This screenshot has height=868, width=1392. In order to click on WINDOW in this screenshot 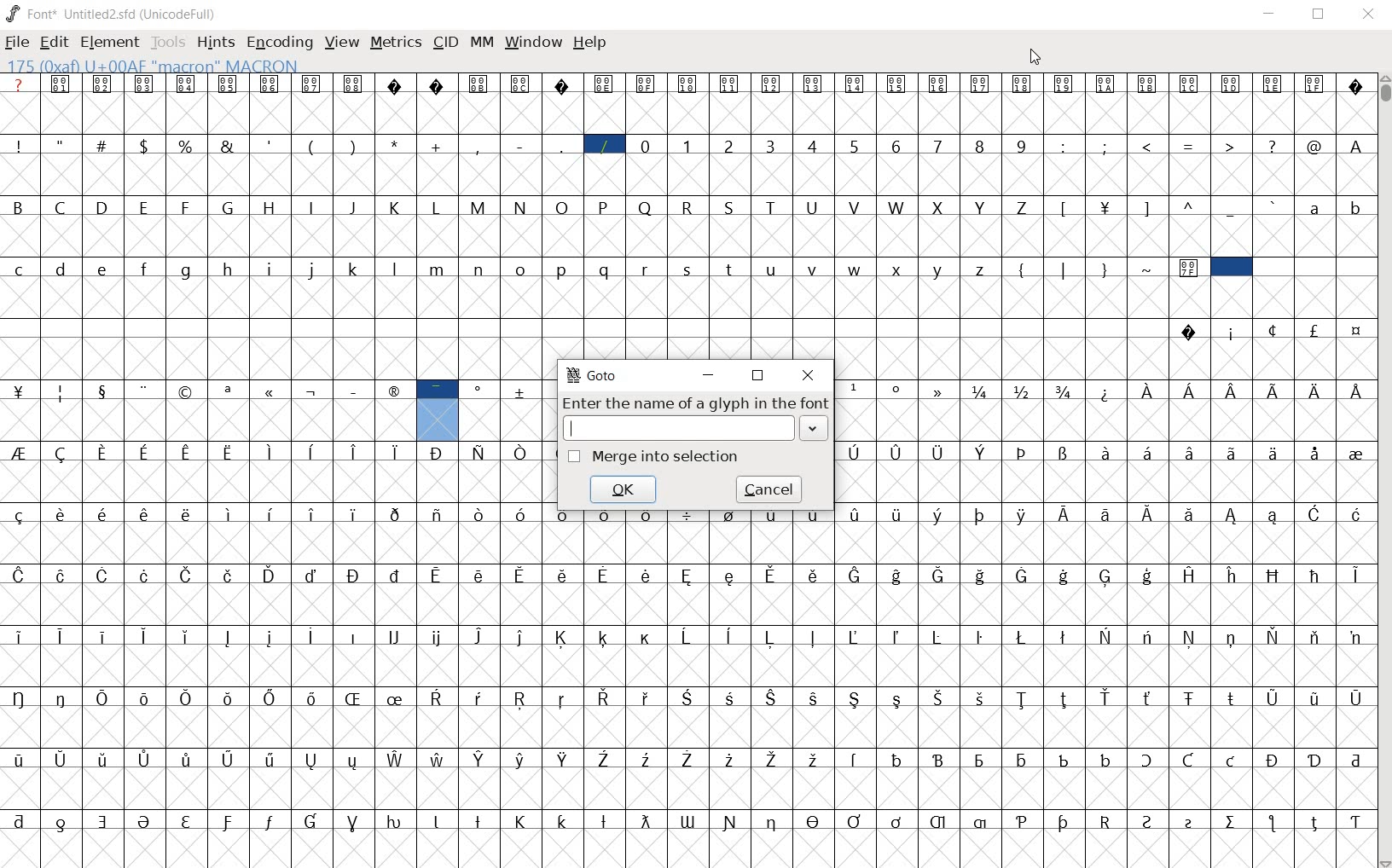, I will do `click(531, 43)`.